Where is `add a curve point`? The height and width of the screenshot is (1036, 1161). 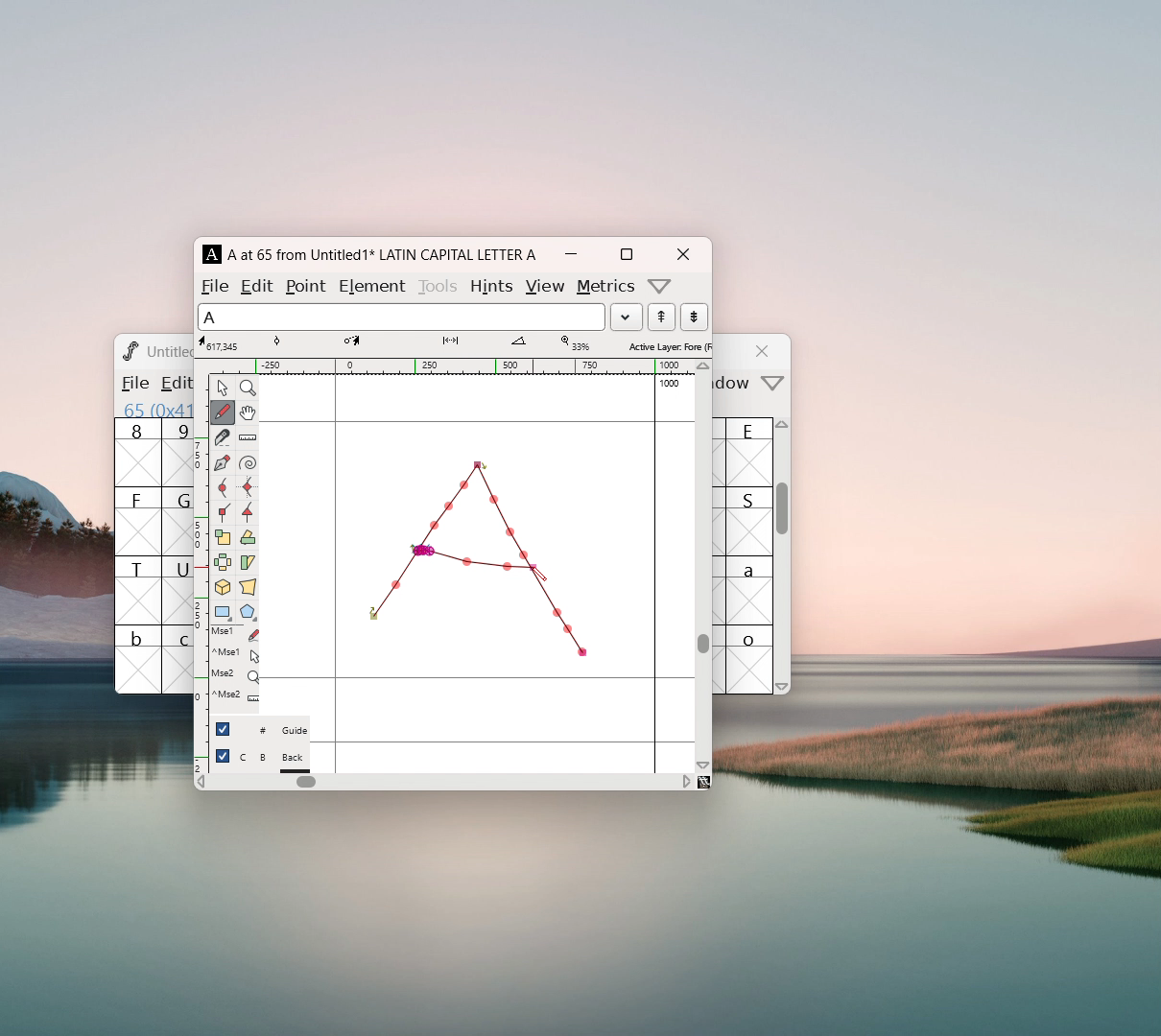
add a curve point is located at coordinates (222, 488).